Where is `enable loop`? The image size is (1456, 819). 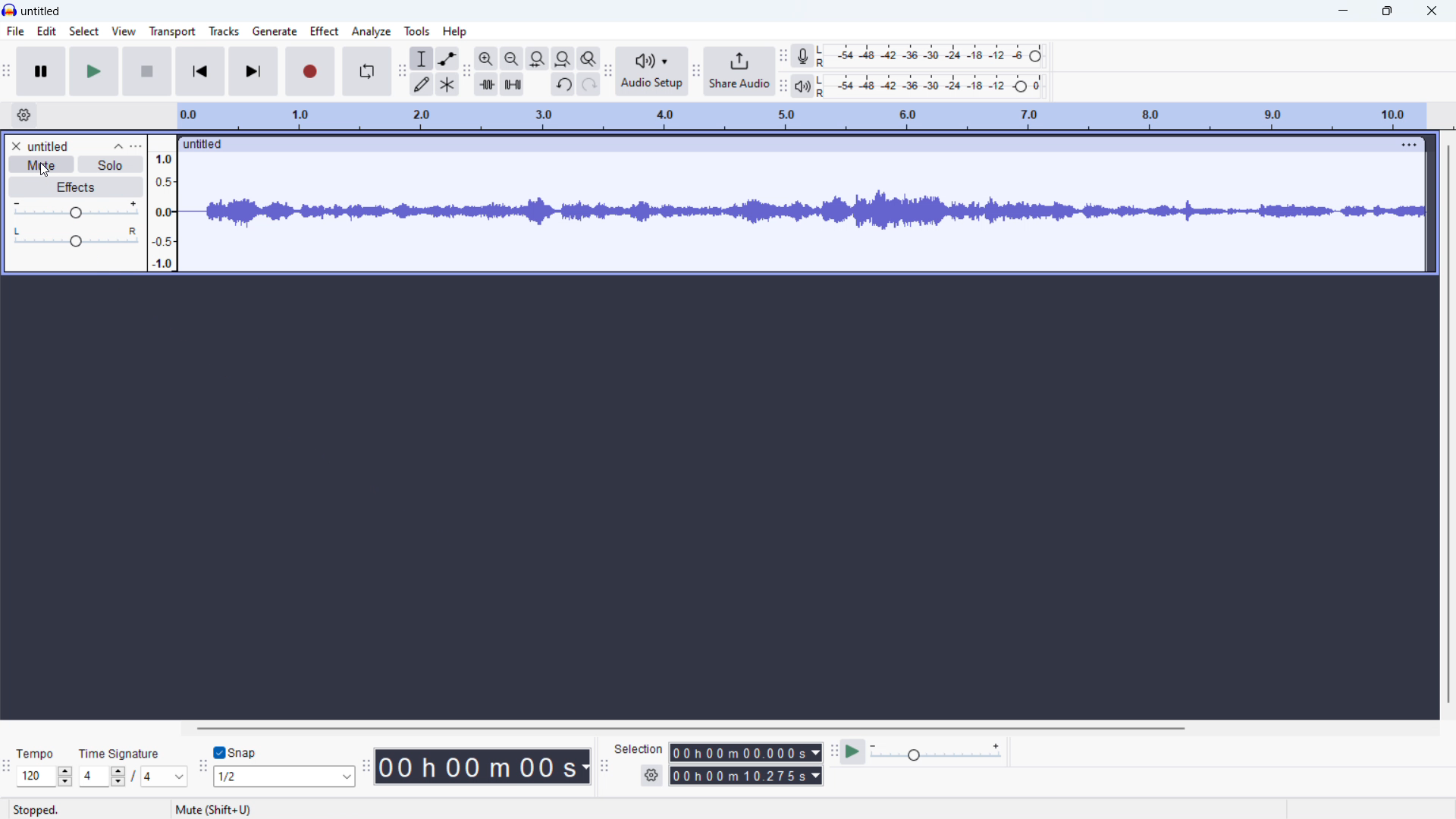
enable loop is located at coordinates (366, 71).